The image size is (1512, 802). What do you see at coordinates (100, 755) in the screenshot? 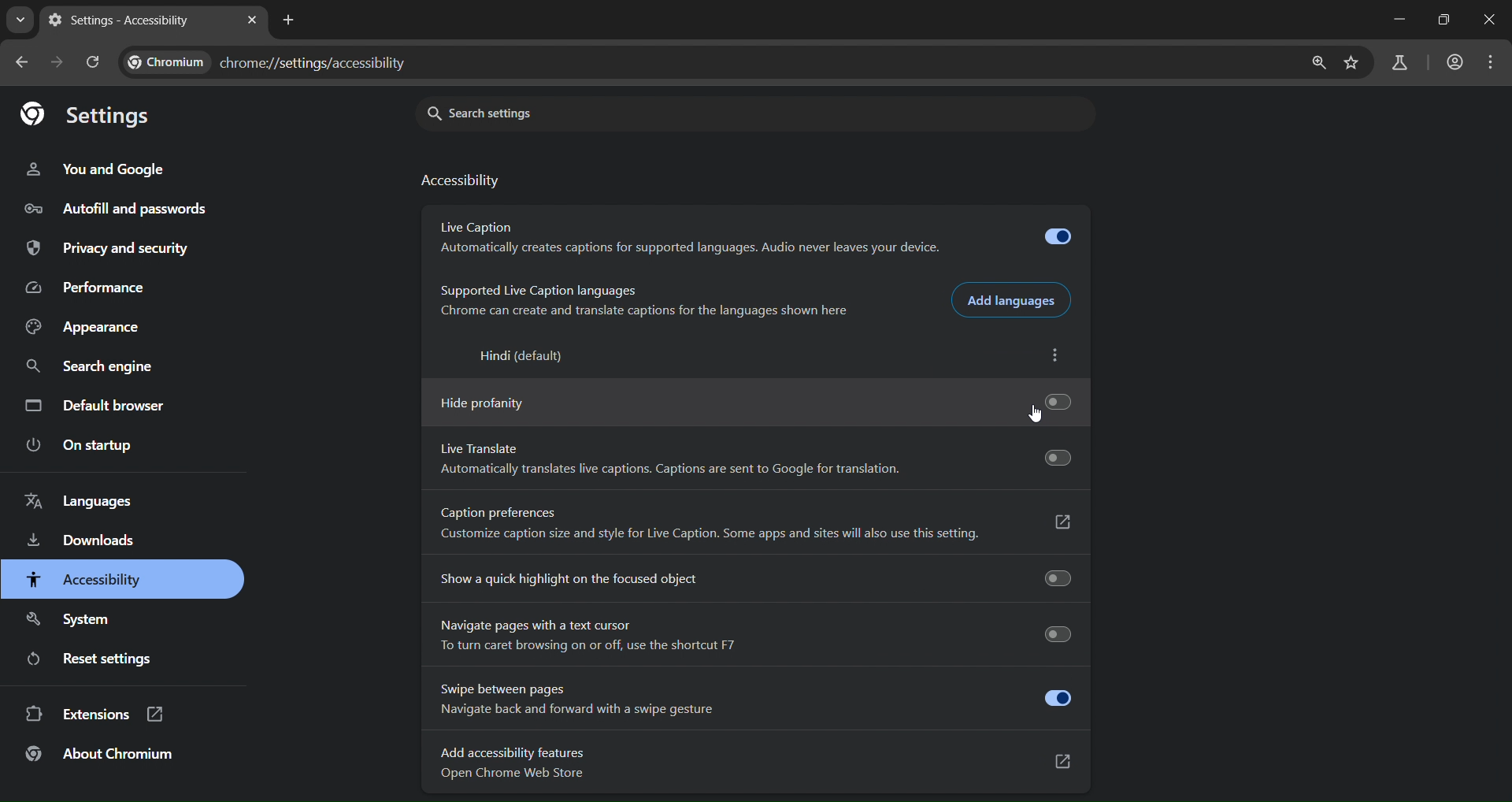
I see `about chromium` at bounding box center [100, 755].